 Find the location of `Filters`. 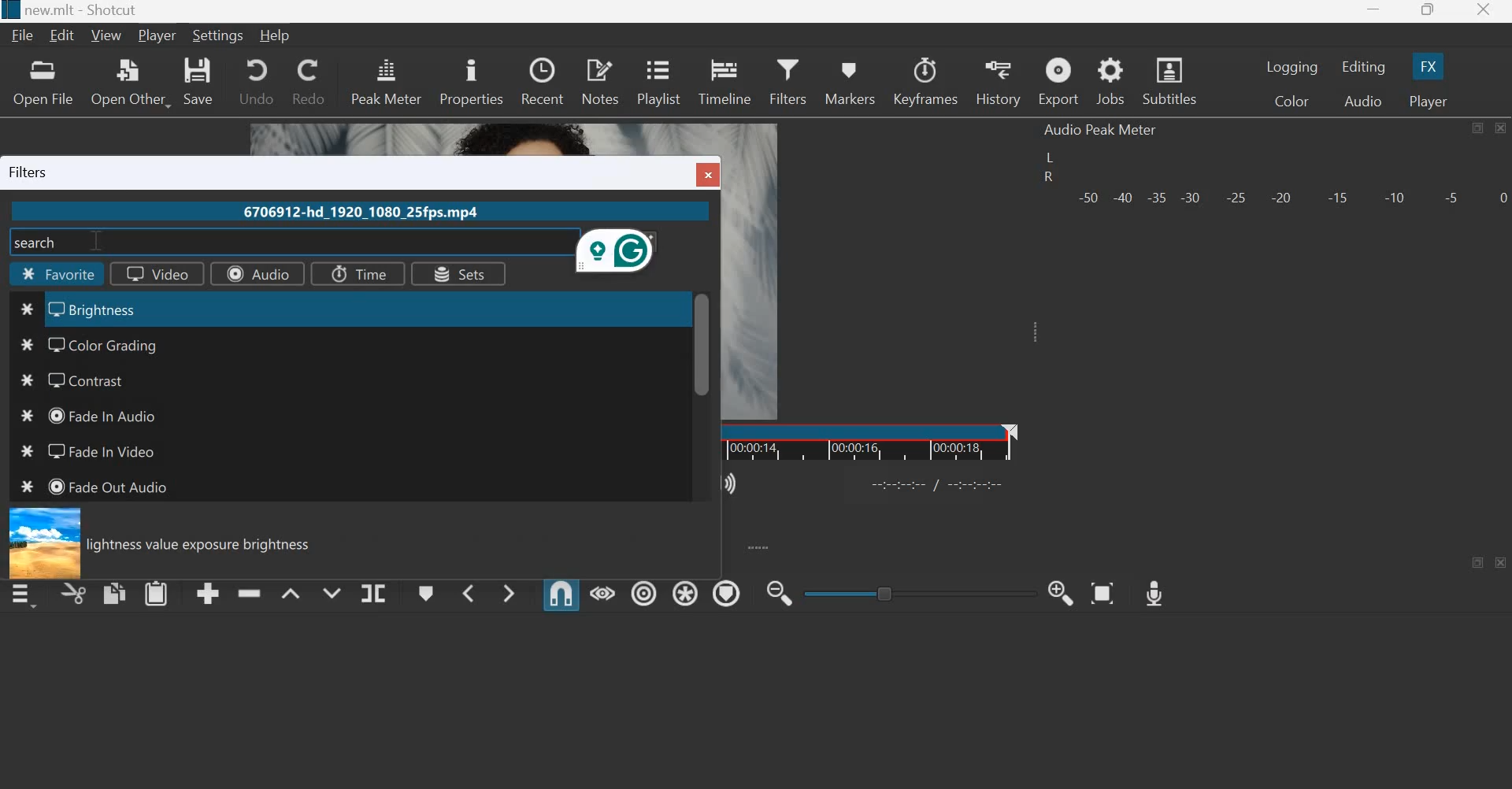

Filters is located at coordinates (787, 79).